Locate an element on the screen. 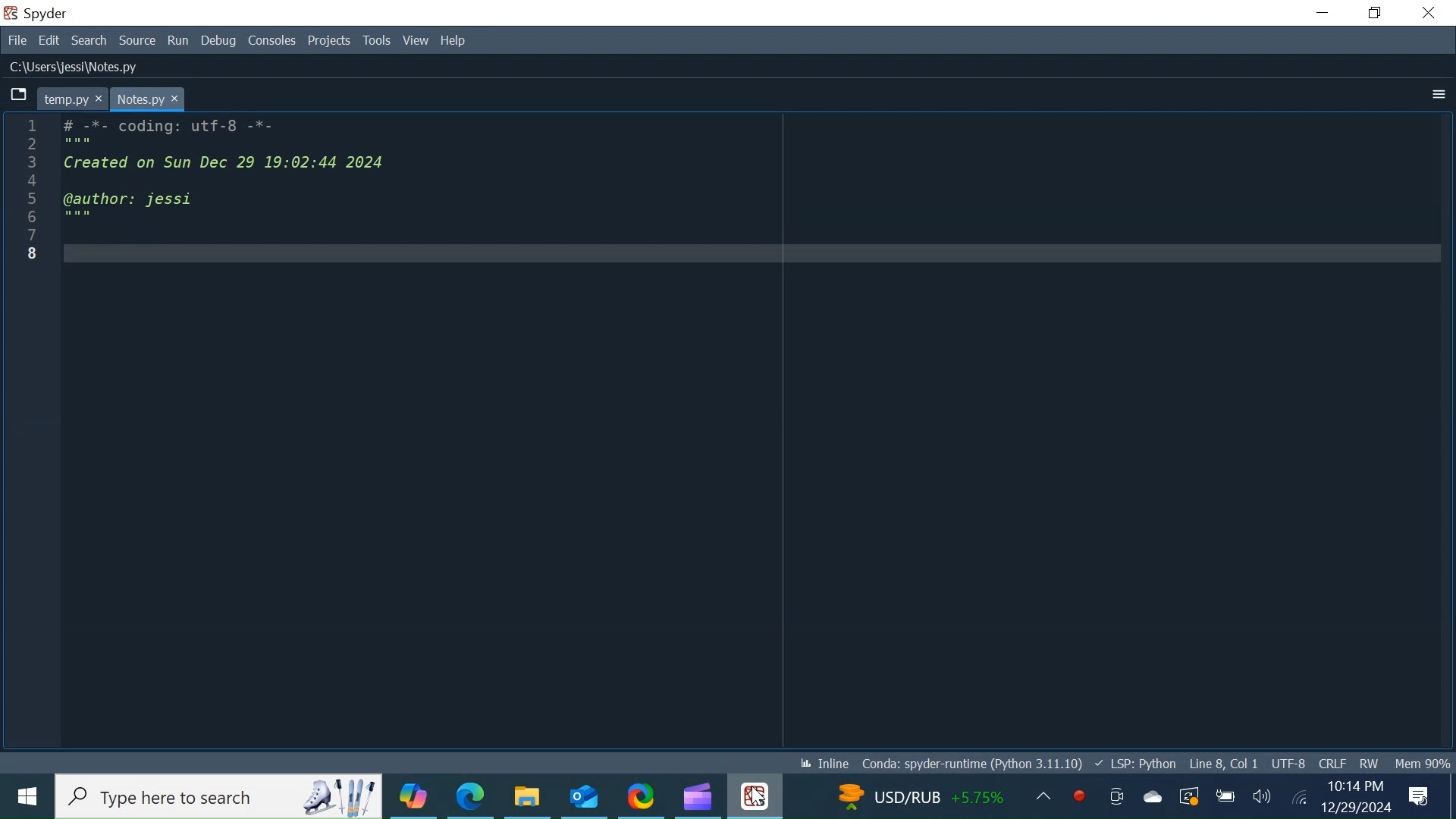 The height and width of the screenshot is (819, 1456). UTF-8 is located at coordinates (1286, 763).